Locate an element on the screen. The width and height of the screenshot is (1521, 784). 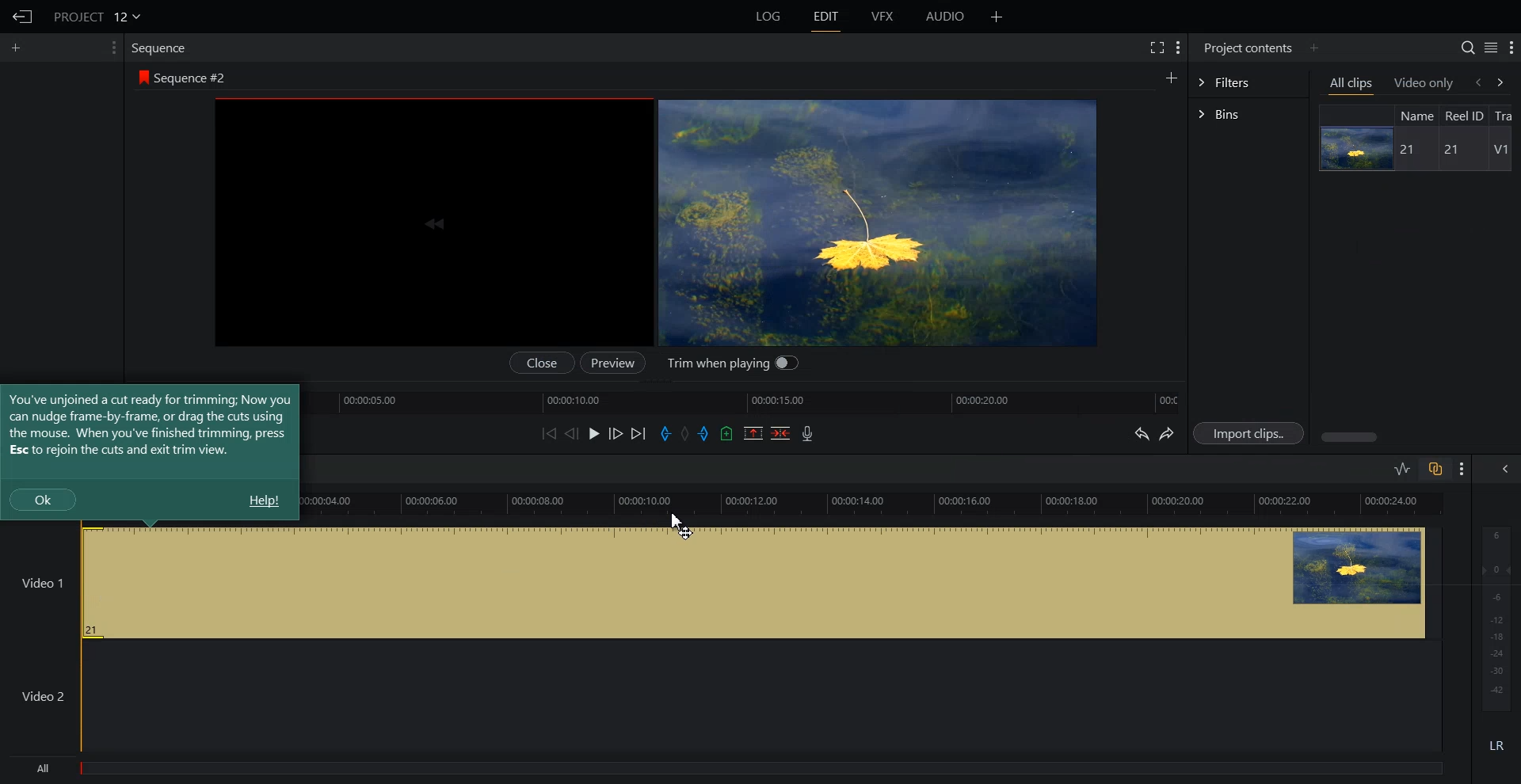
Show Setting Menu is located at coordinates (113, 48).